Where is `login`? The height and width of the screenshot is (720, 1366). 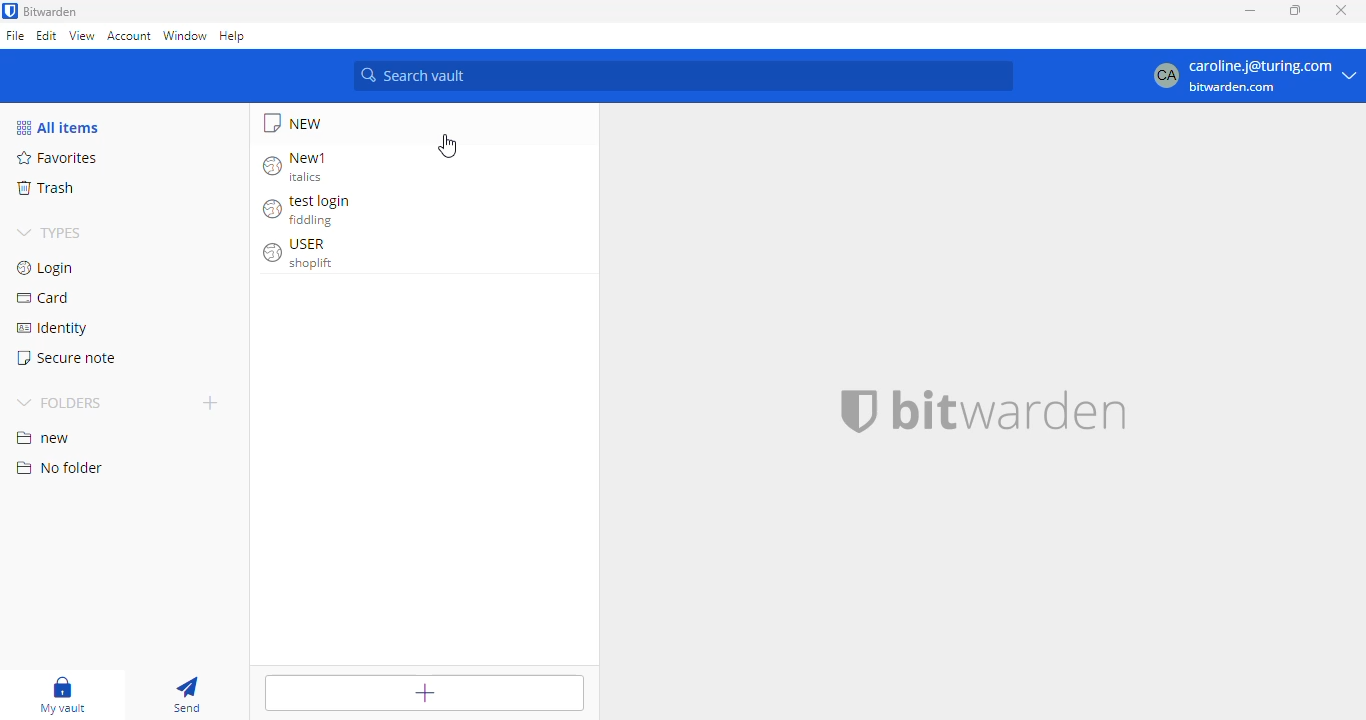
login is located at coordinates (47, 269).